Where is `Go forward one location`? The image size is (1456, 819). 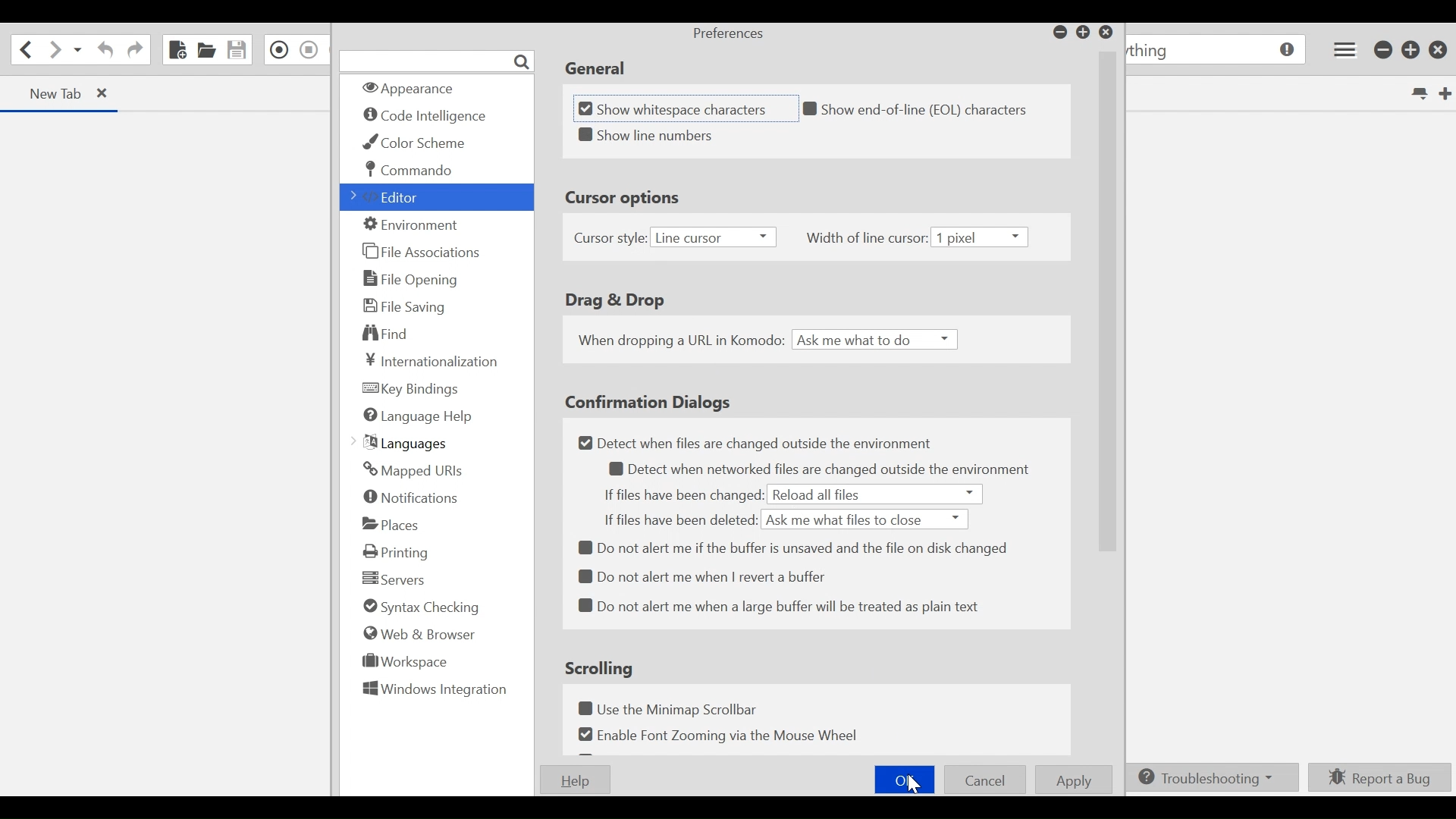 Go forward one location is located at coordinates (54, 50).